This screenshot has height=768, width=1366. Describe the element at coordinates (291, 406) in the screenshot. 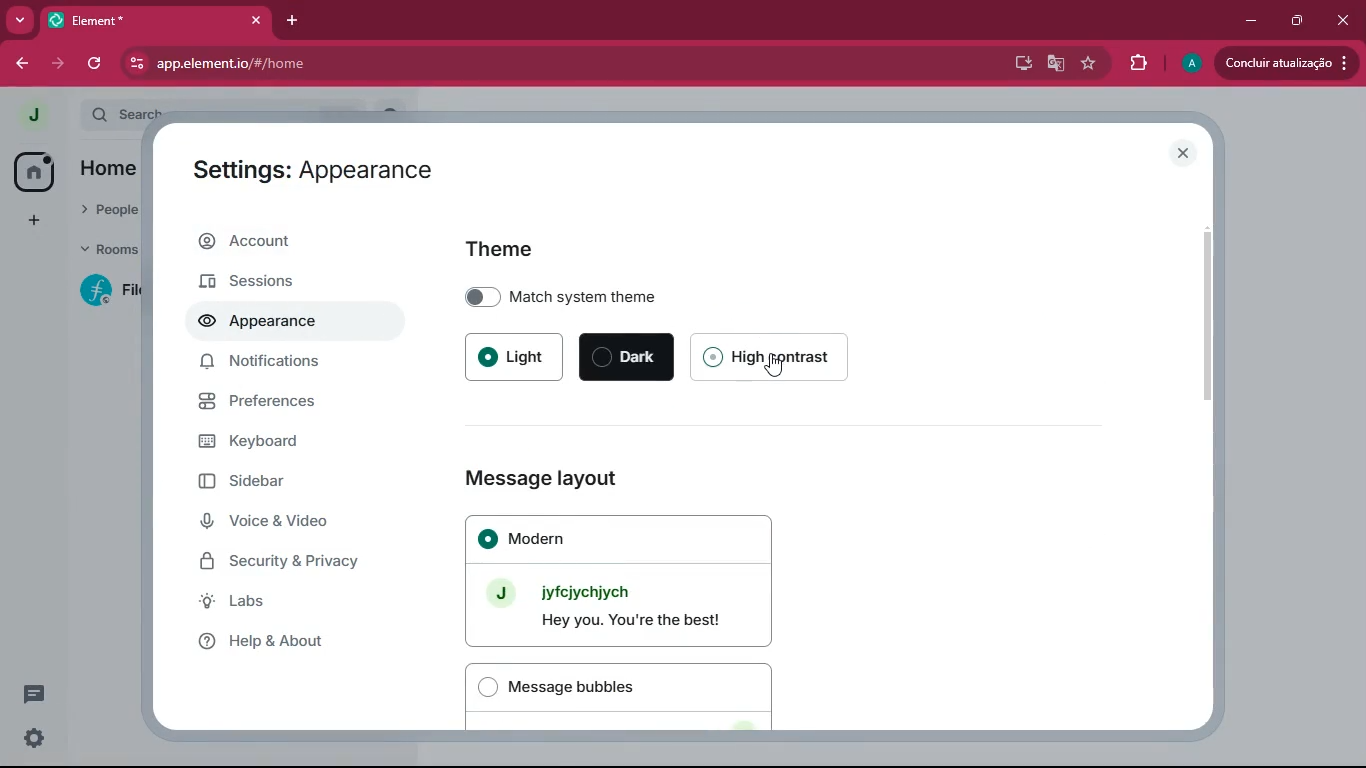

I see `preferences` at that location.